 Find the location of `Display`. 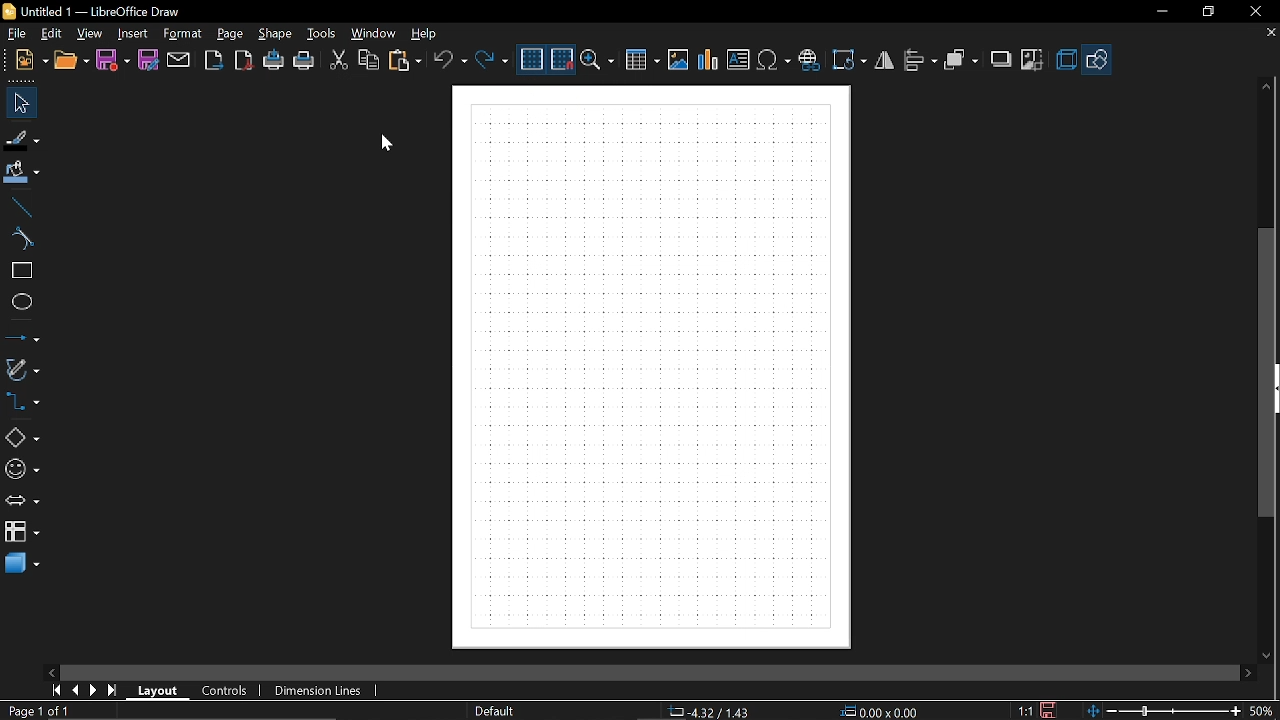

Display is located at coordinates (652, 368).